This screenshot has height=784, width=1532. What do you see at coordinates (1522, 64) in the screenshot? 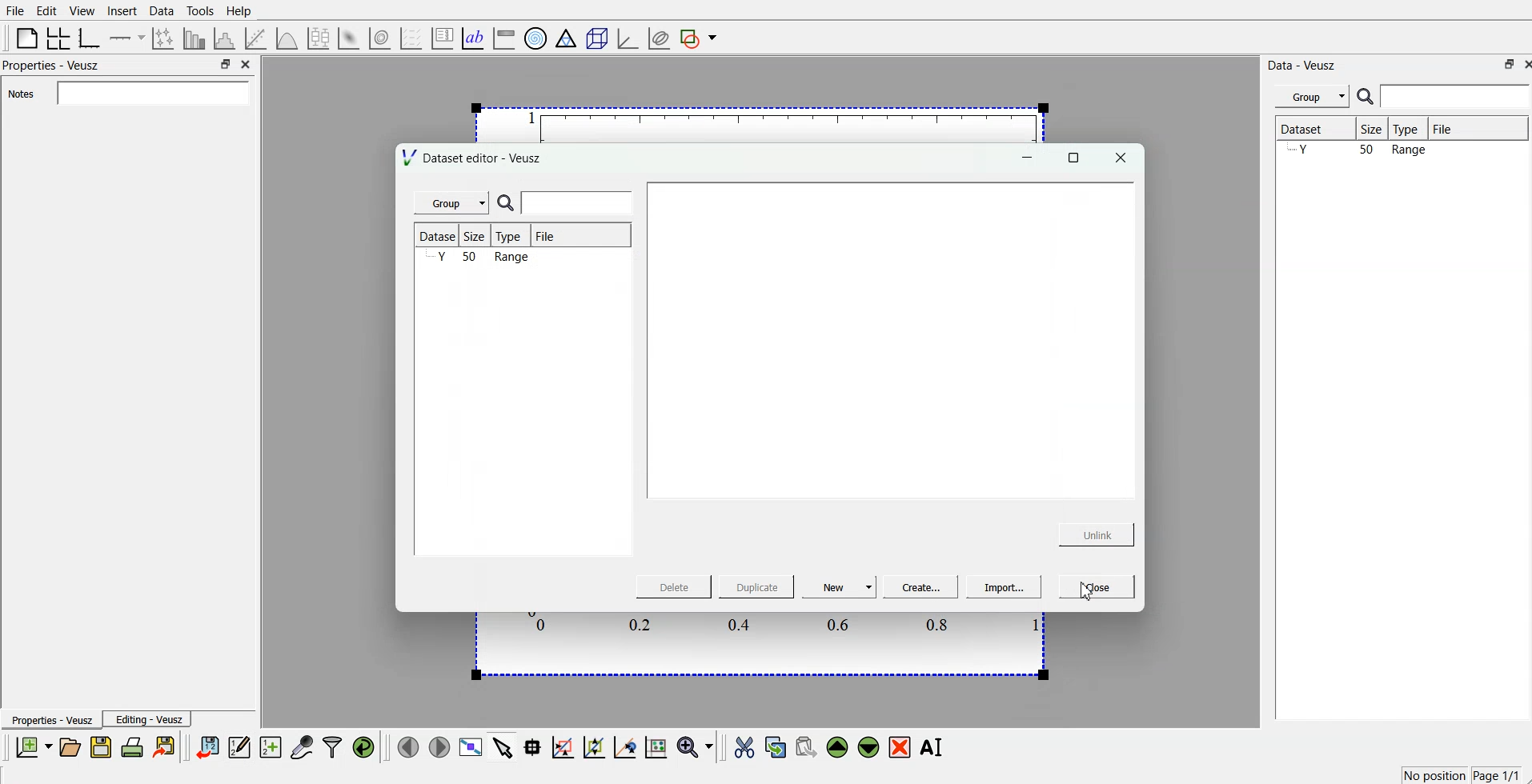
I see `close` at bounding box center [1522, 64].